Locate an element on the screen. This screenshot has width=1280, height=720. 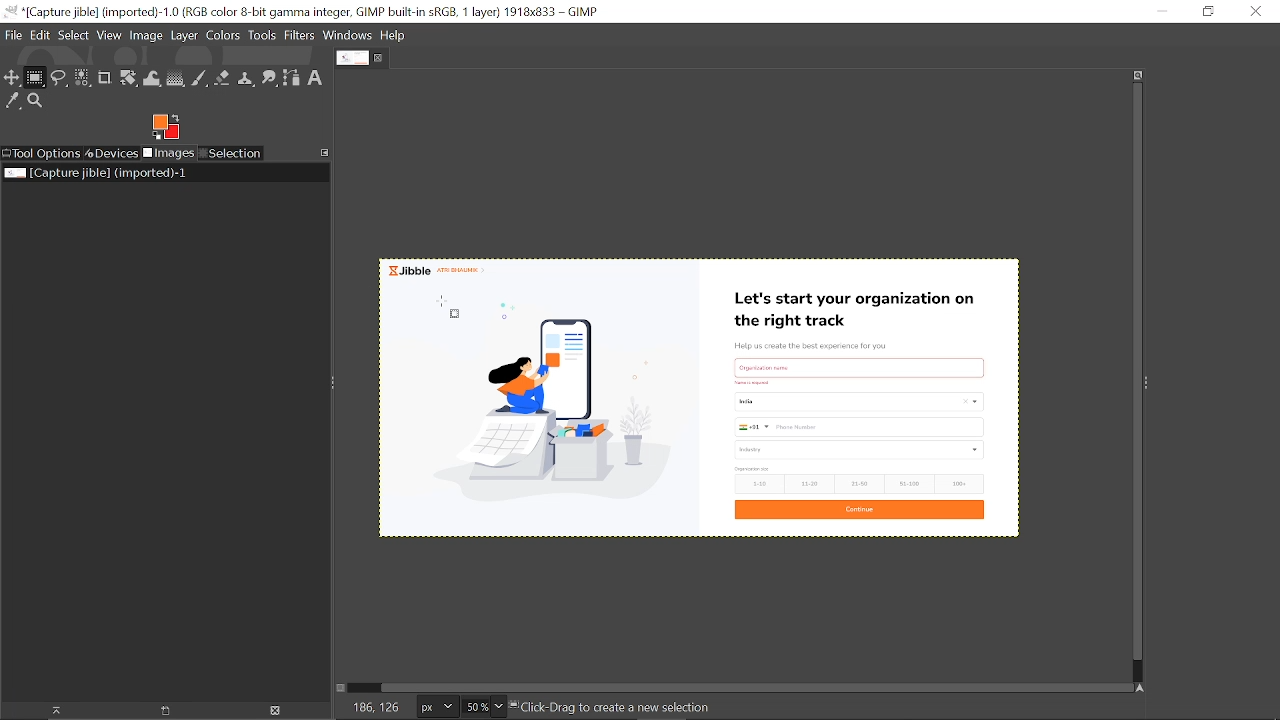
Edit is located at coordinates (40, 34).